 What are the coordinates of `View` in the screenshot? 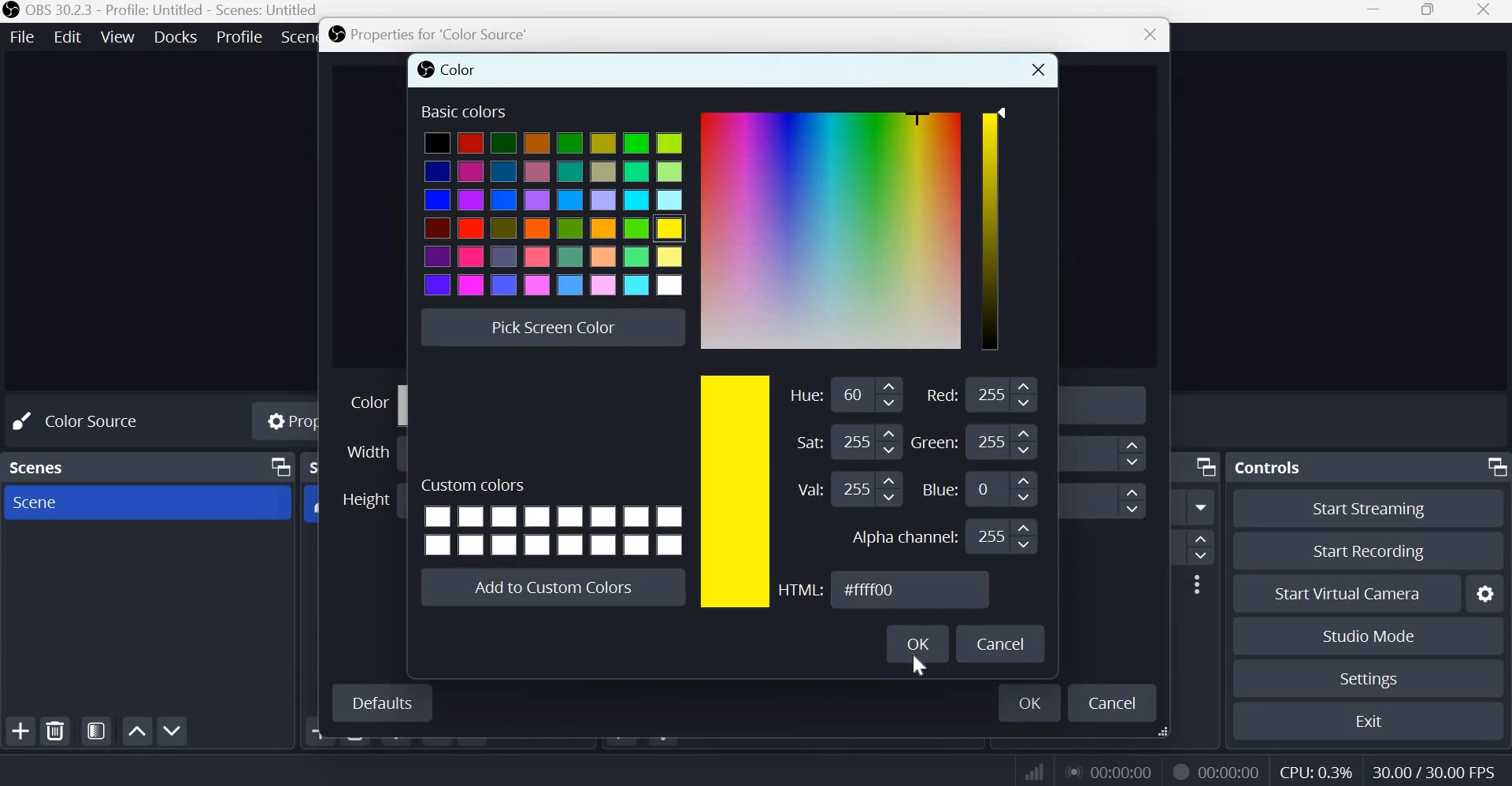 It's located at (119, 35).